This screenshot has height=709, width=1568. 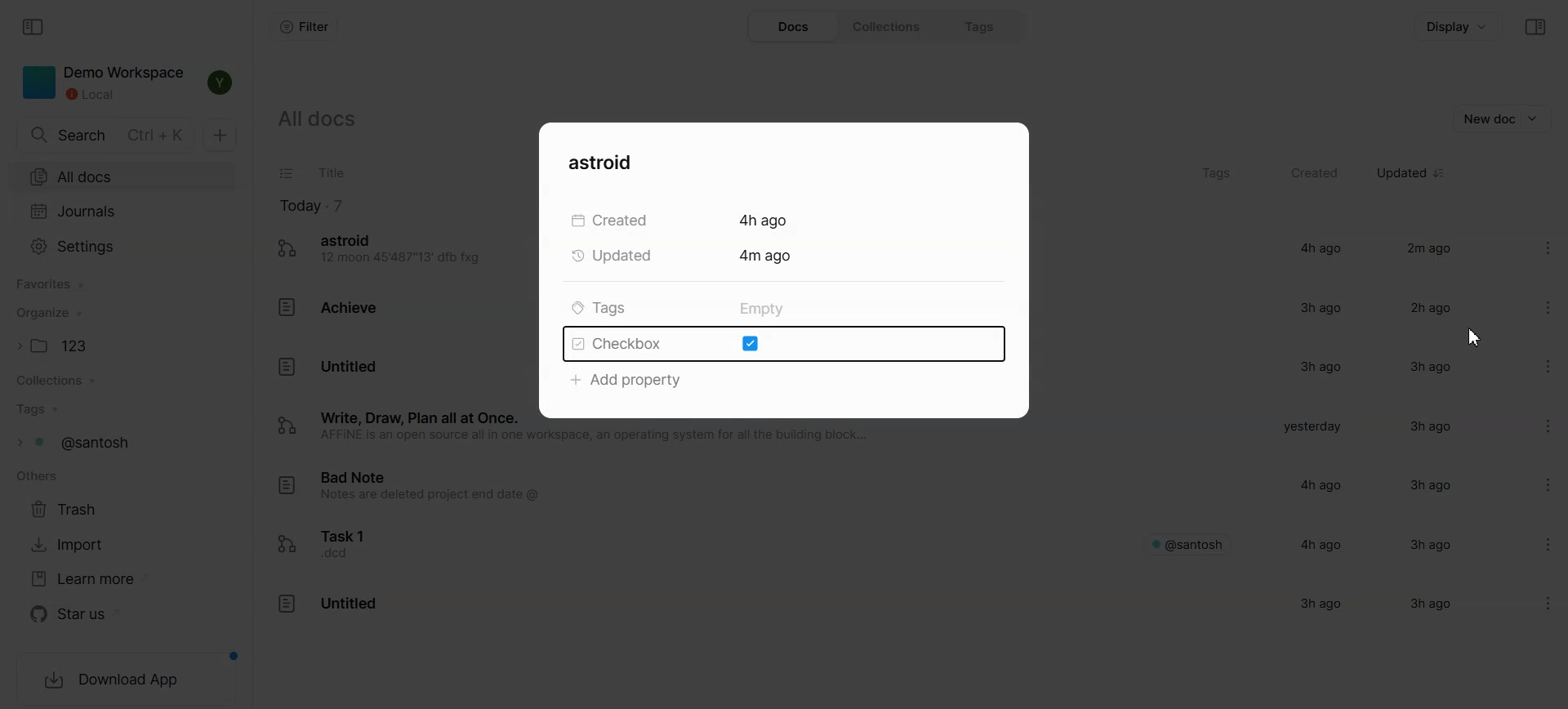 What do you see at coordinates (782, 345) in the screenshot?
I see `Checkbox enable/ disable` at bounding box center [782, 345].